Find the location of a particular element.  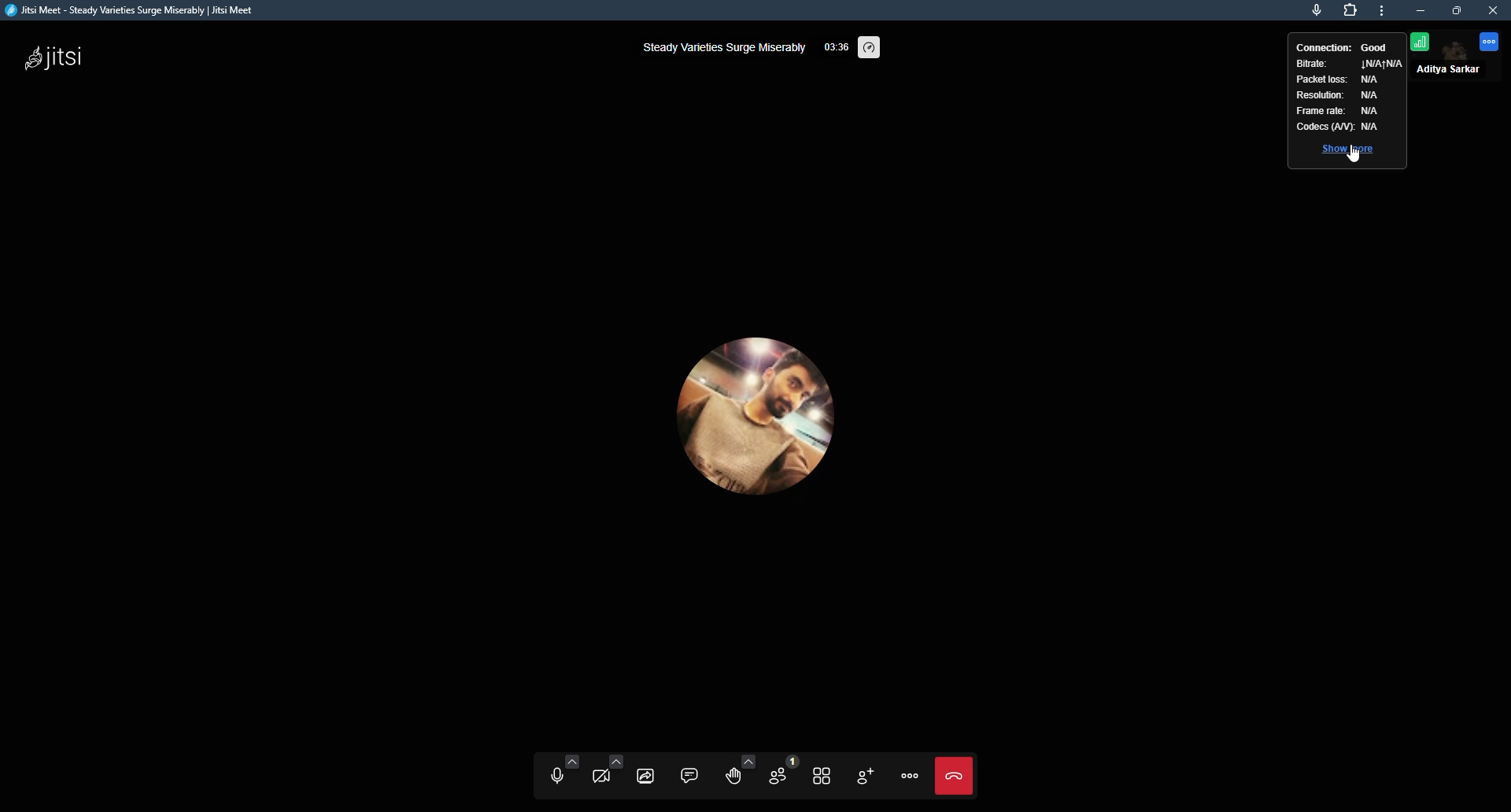

na is located at coordinates (1370, 80).